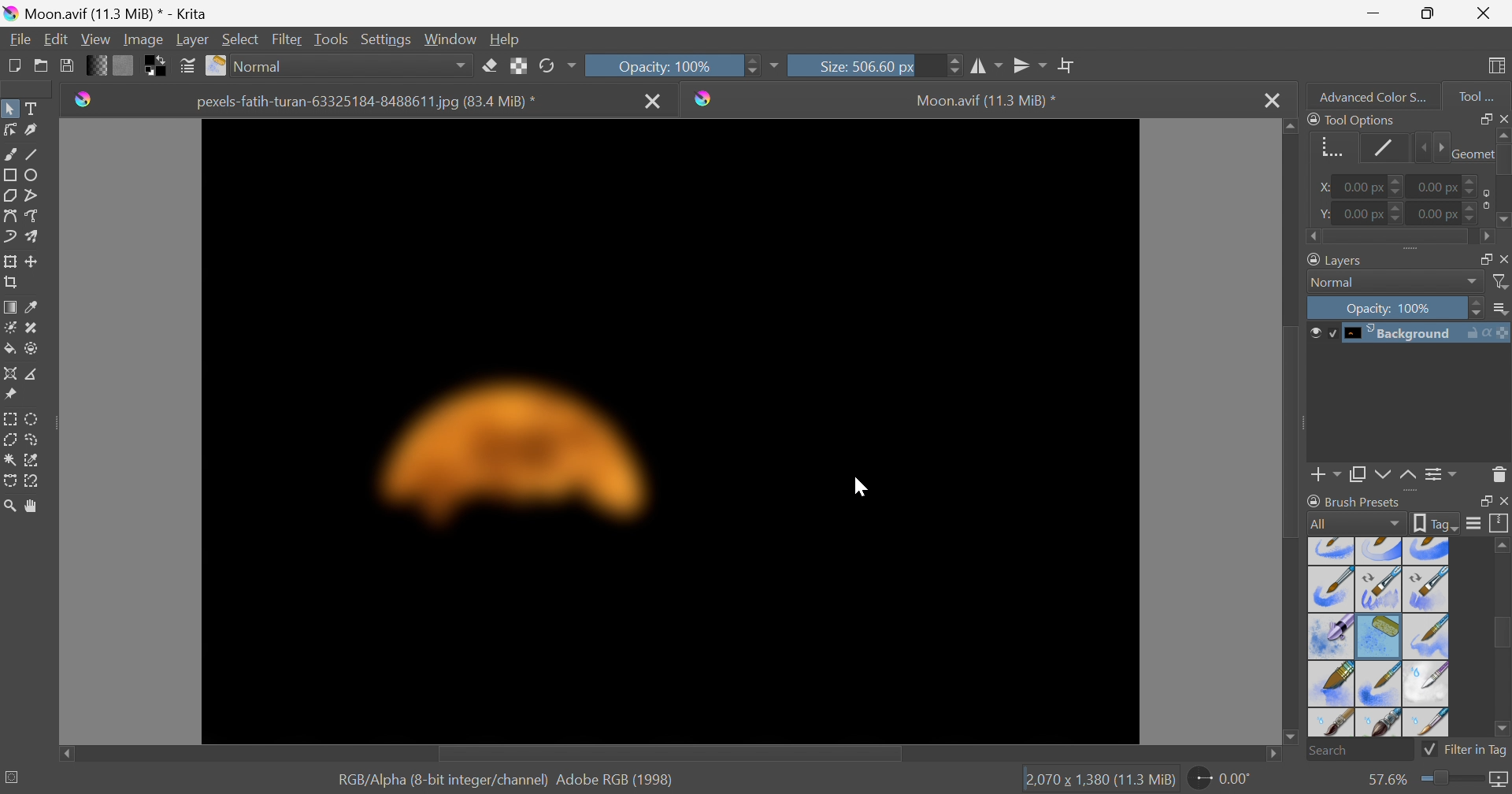 The height and width of the screenshot is (794, 1512). Describe the element at coordinates (31, 482) in the screenshot. I see `Magnetic curve selection tool` at that location.